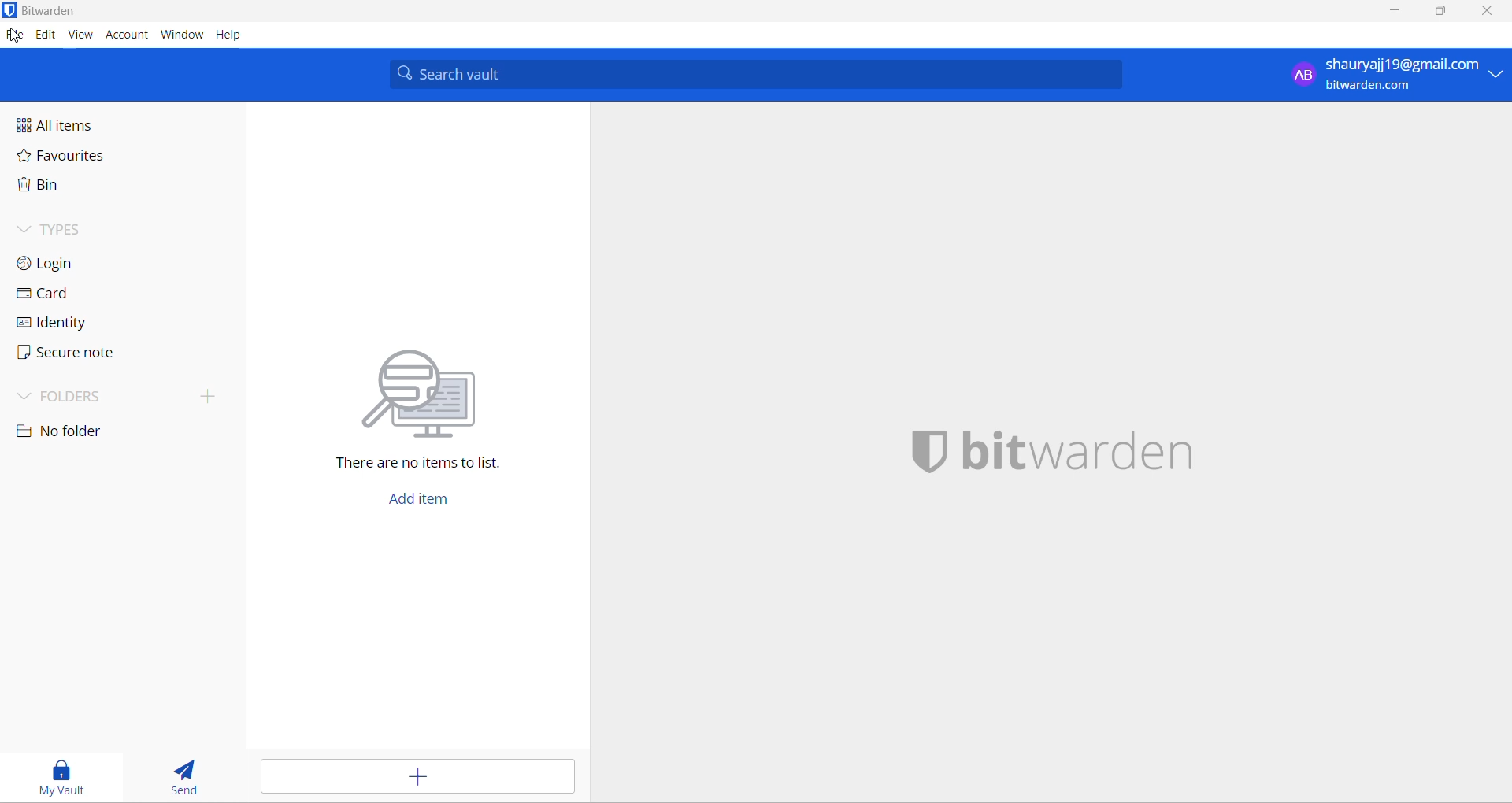 The width and height of the screenshot is (1512, 803). I want to click on application logo, so click(928, 453).